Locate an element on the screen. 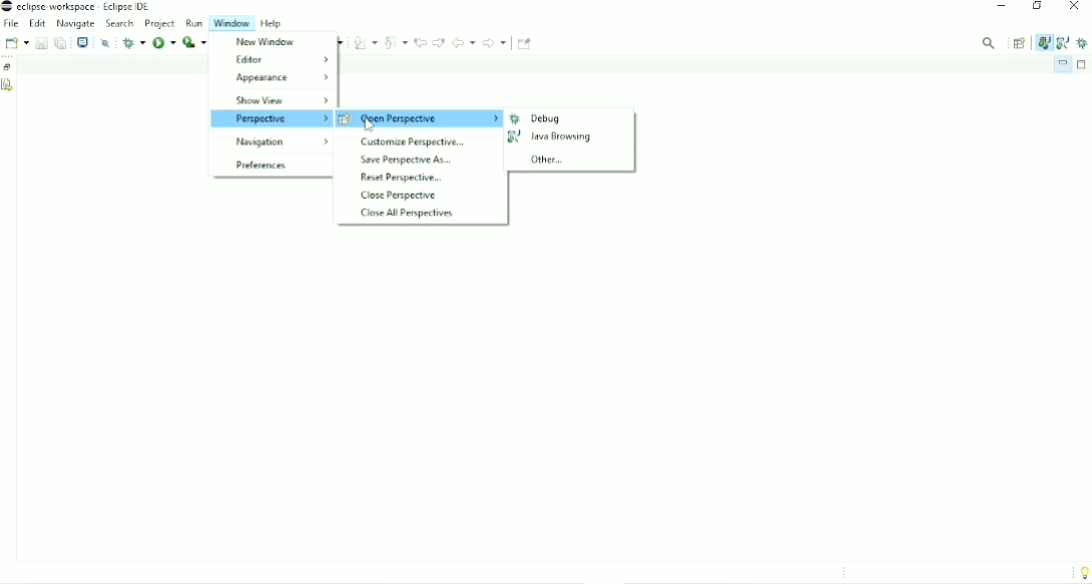 This screenshot has width=1092, height=584. Debug is located at coordinates (537, 119).